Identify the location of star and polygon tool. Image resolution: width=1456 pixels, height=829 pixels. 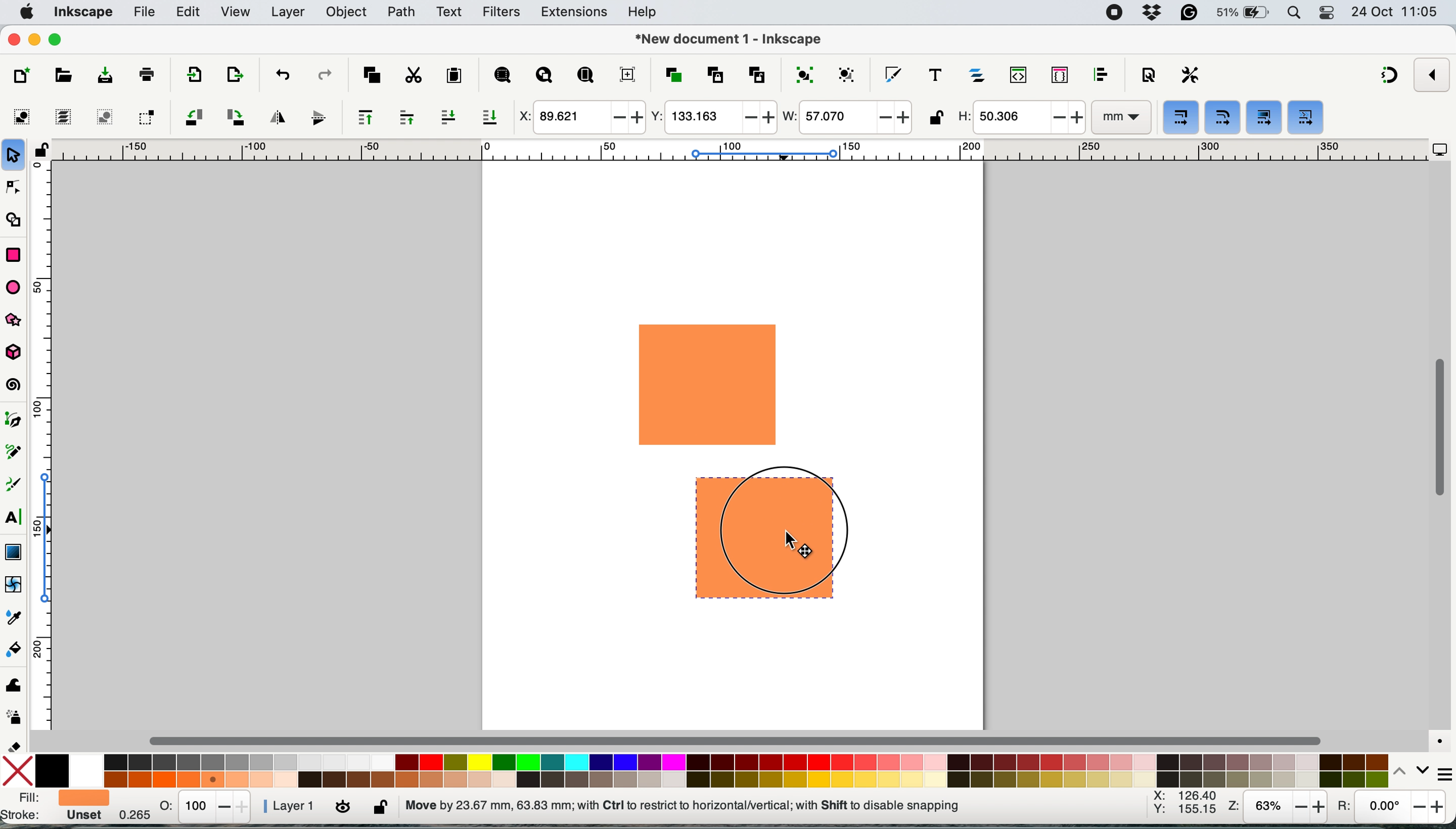
(19, 322).